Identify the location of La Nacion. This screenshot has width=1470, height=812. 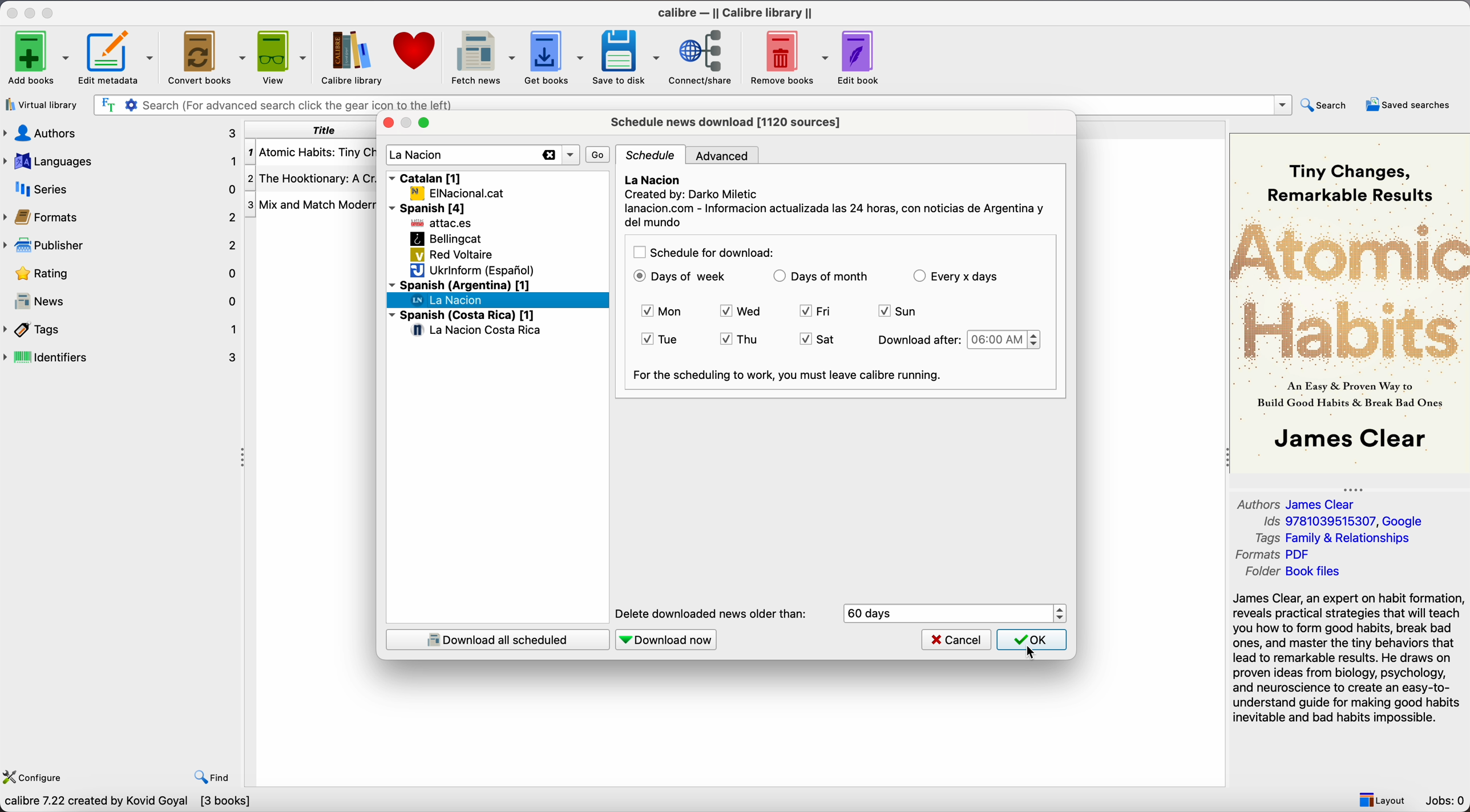
(418, 156).